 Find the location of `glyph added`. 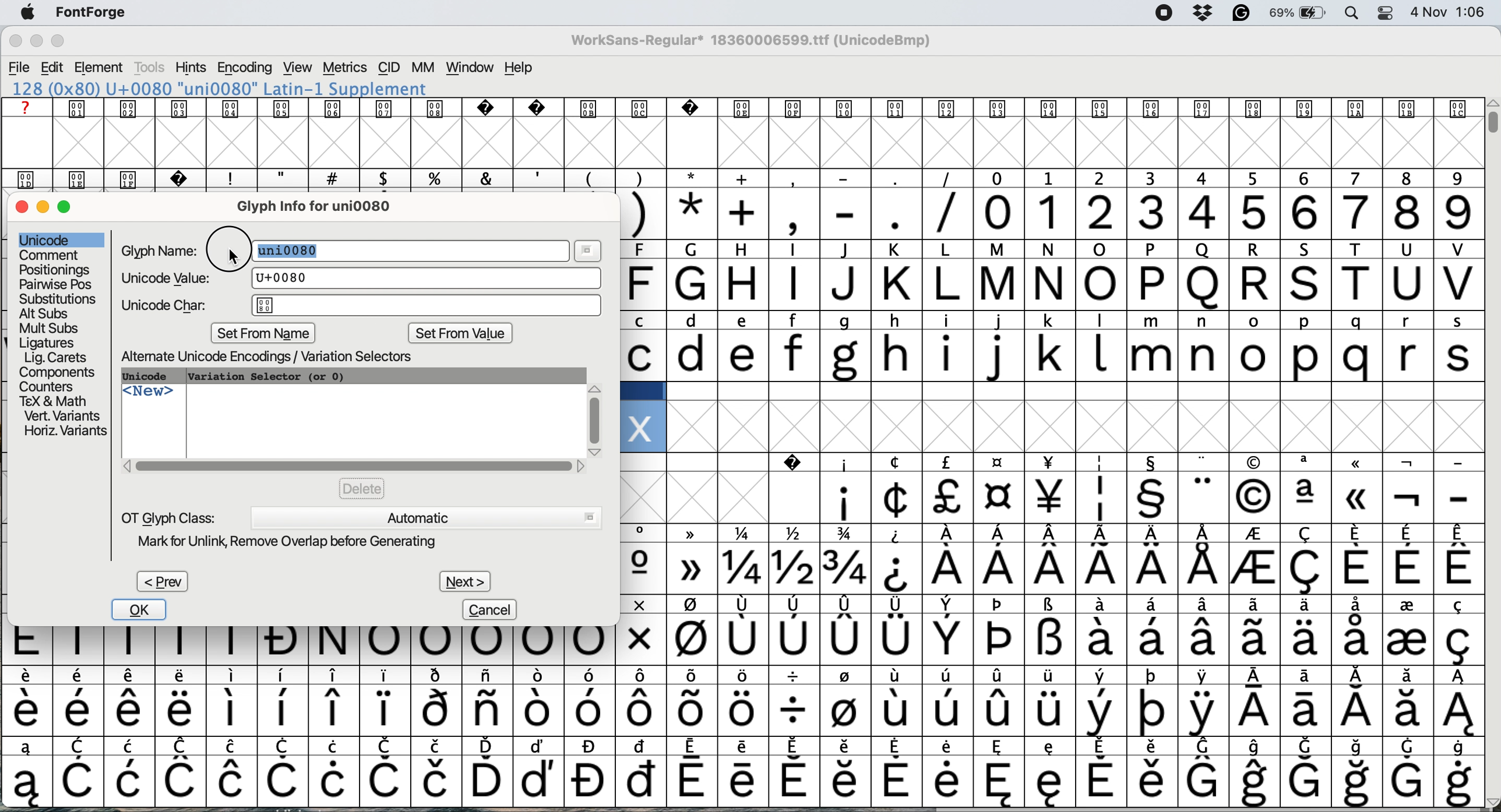

glyph added is located at coordinates (640, 426).